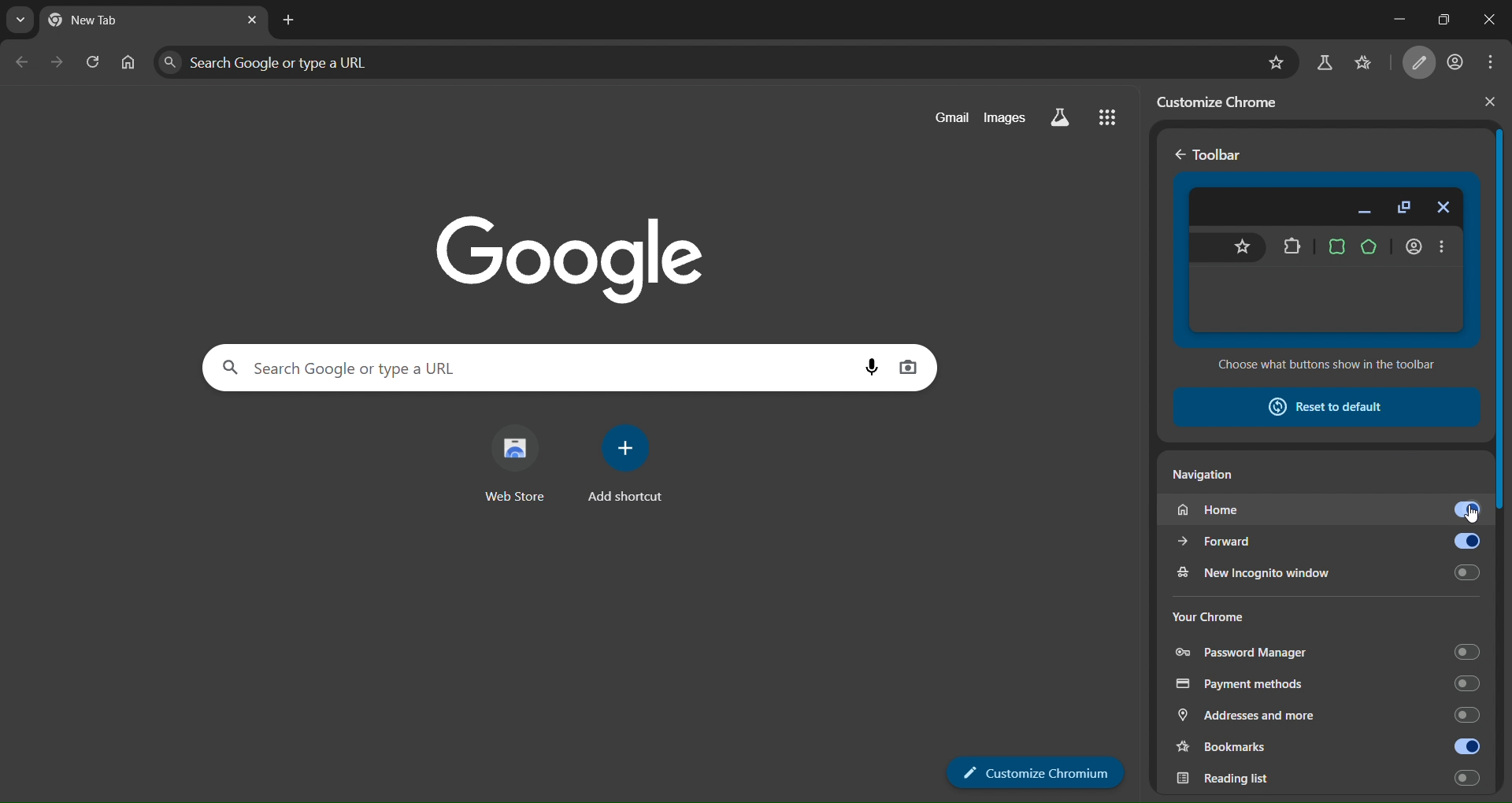  What do you see at coordinates (480, 367) in the screenshot?
I see `search panel` at bounding box center [480, 367].